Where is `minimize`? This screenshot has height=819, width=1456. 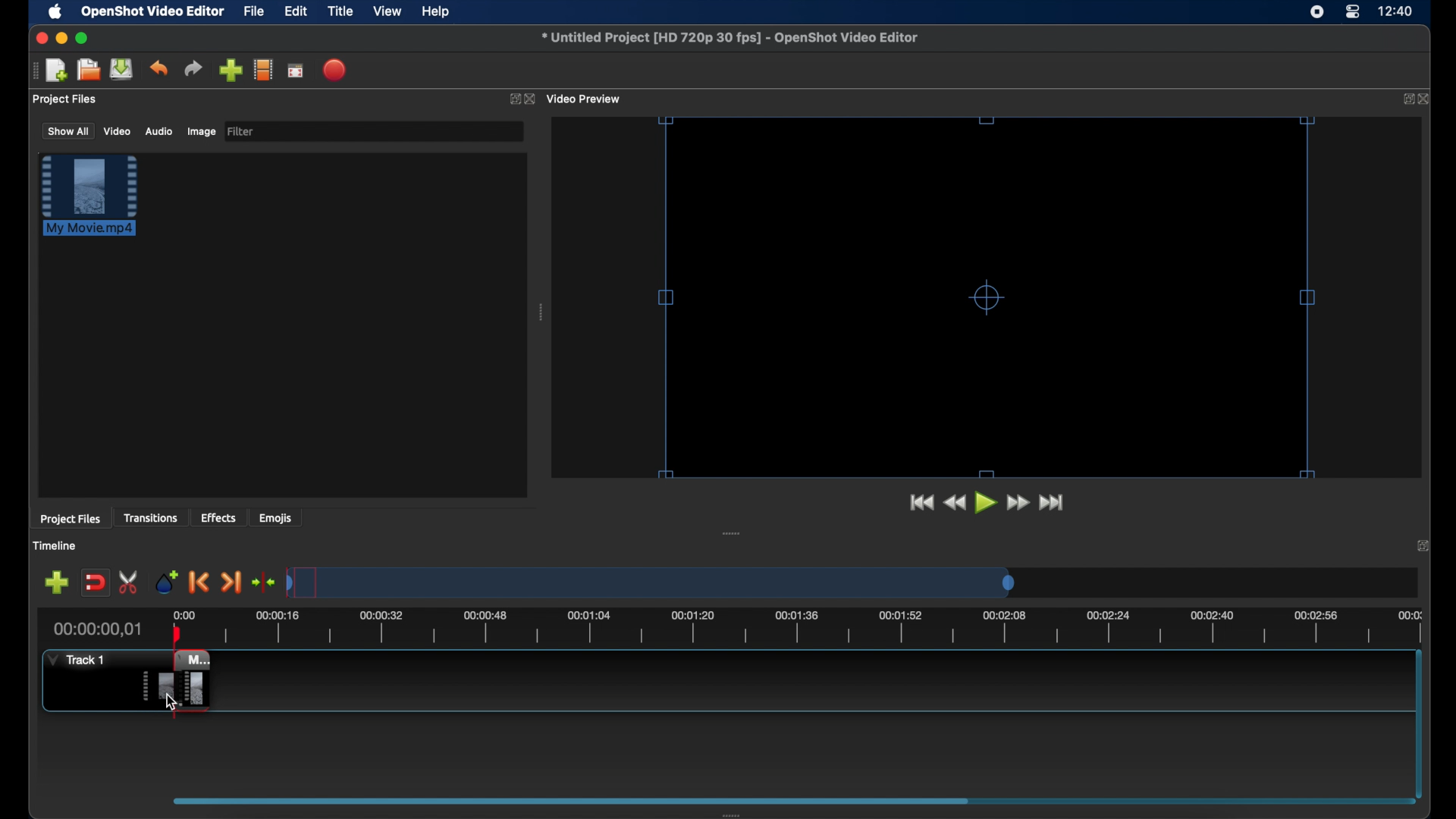
minimize is located at coordinates (61, 38).